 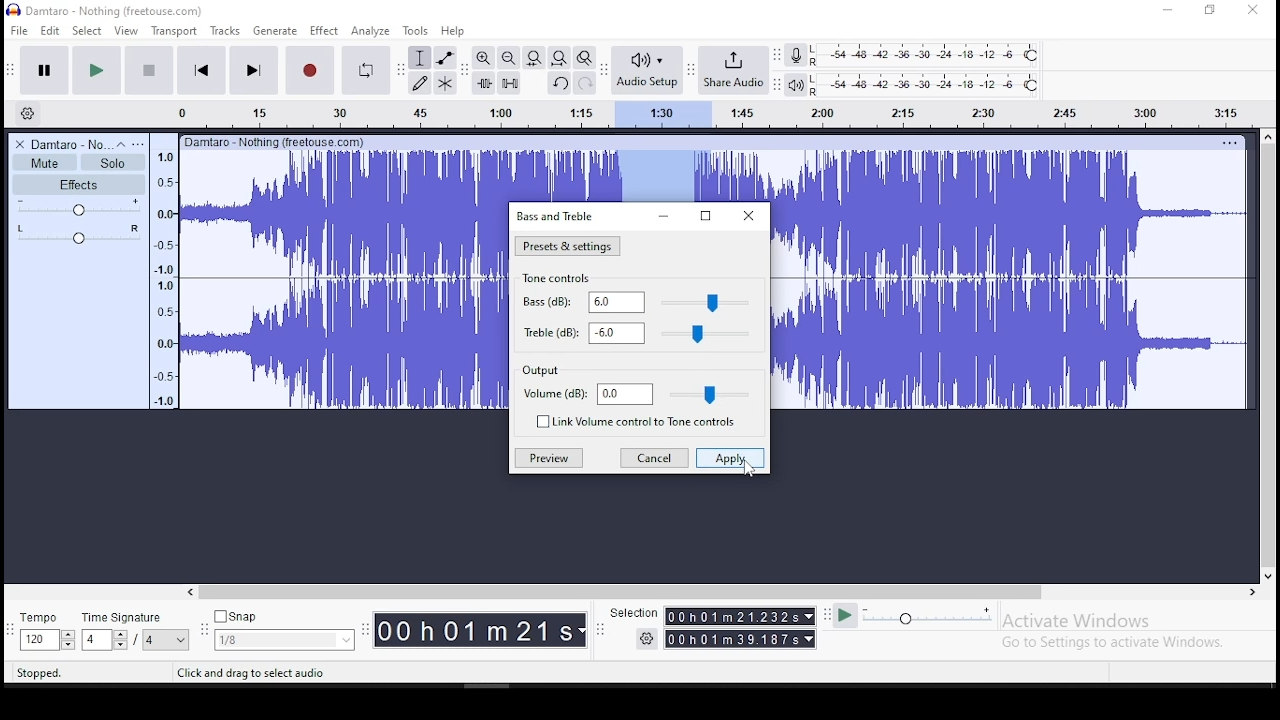 I want to click on right, so click(x=1251, y=592).